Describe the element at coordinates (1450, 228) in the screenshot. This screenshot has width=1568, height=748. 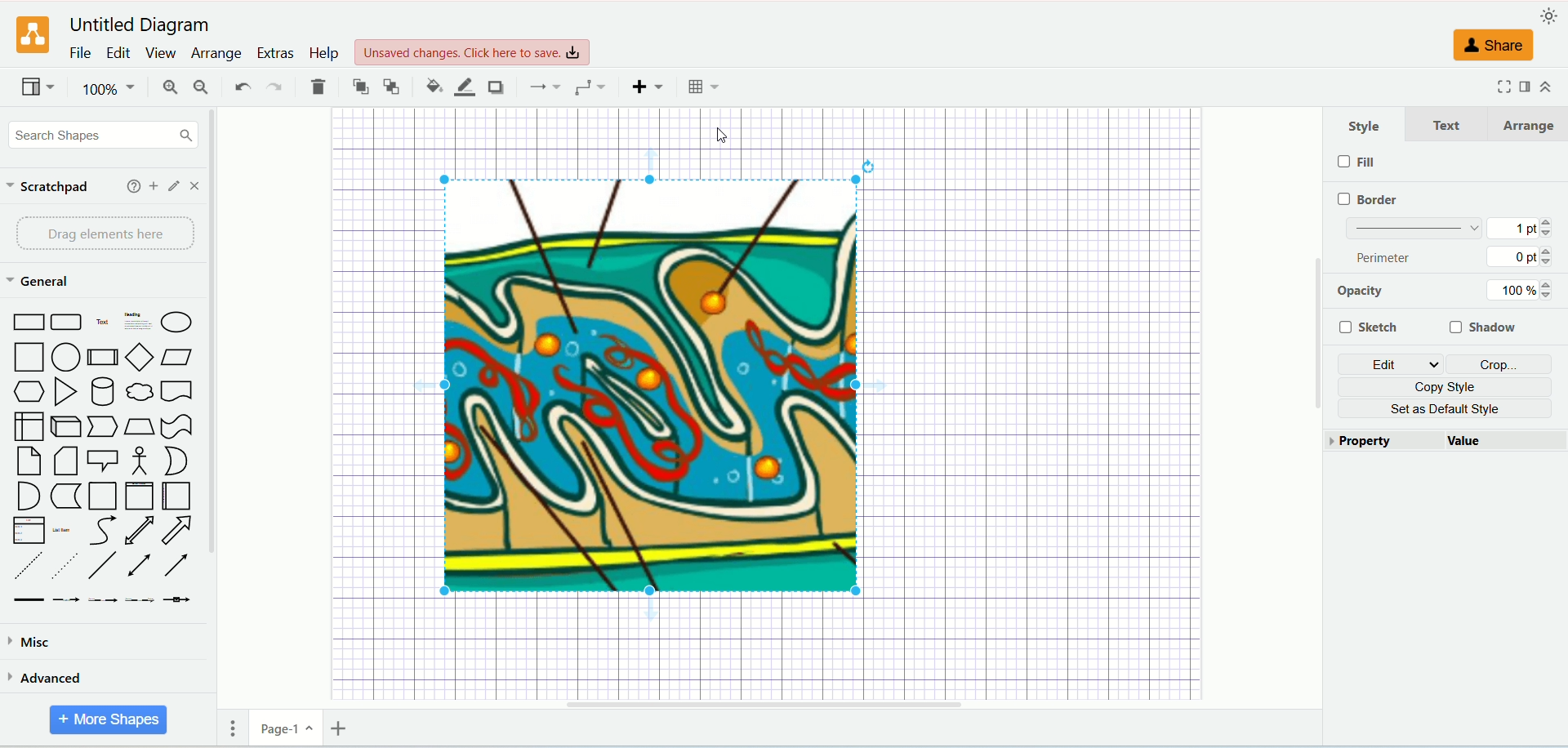
I see `border thickness` at that location.